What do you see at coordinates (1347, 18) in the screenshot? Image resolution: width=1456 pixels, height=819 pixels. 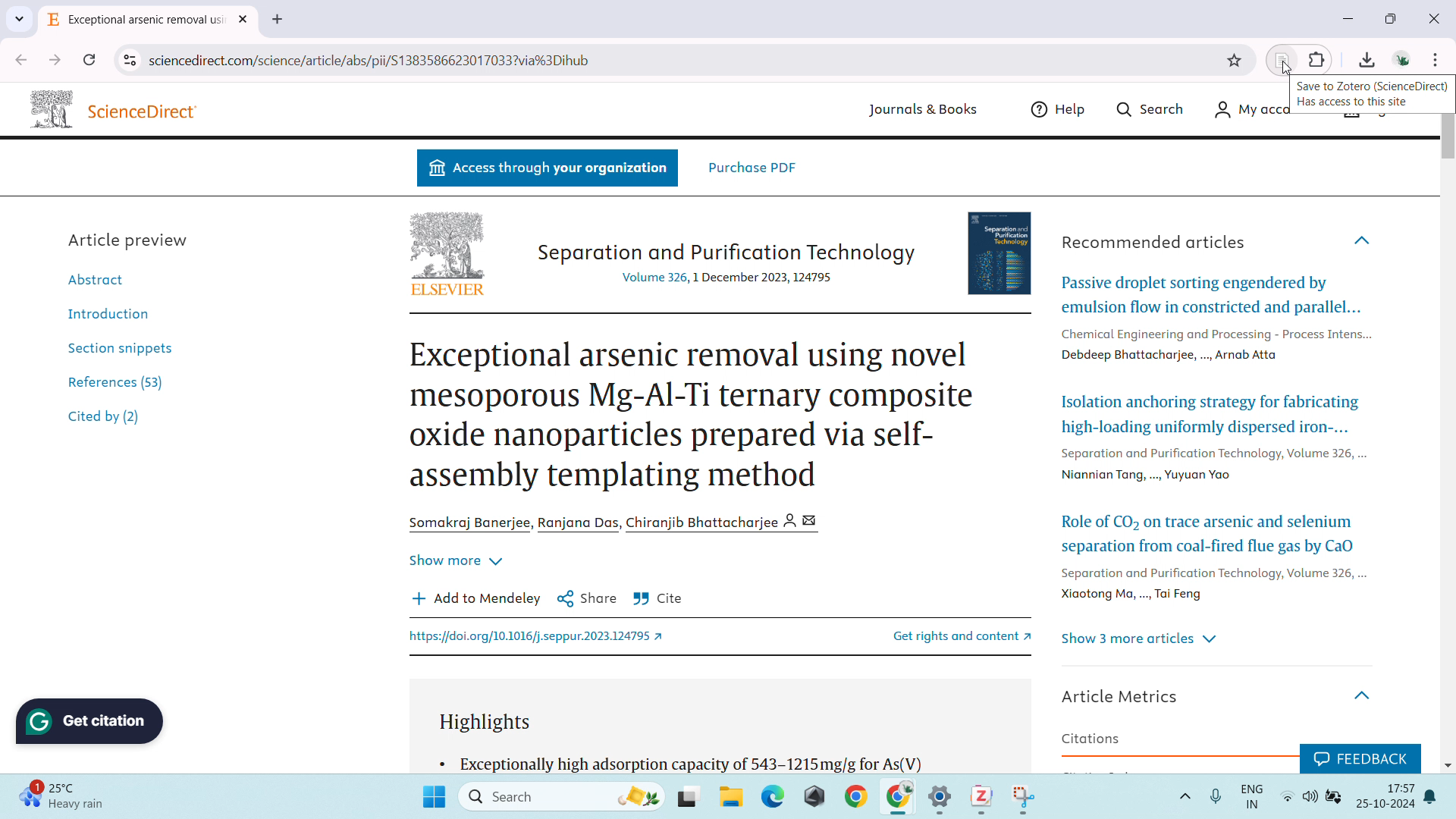 I see `minimize` at bounding box center [1347, 18].